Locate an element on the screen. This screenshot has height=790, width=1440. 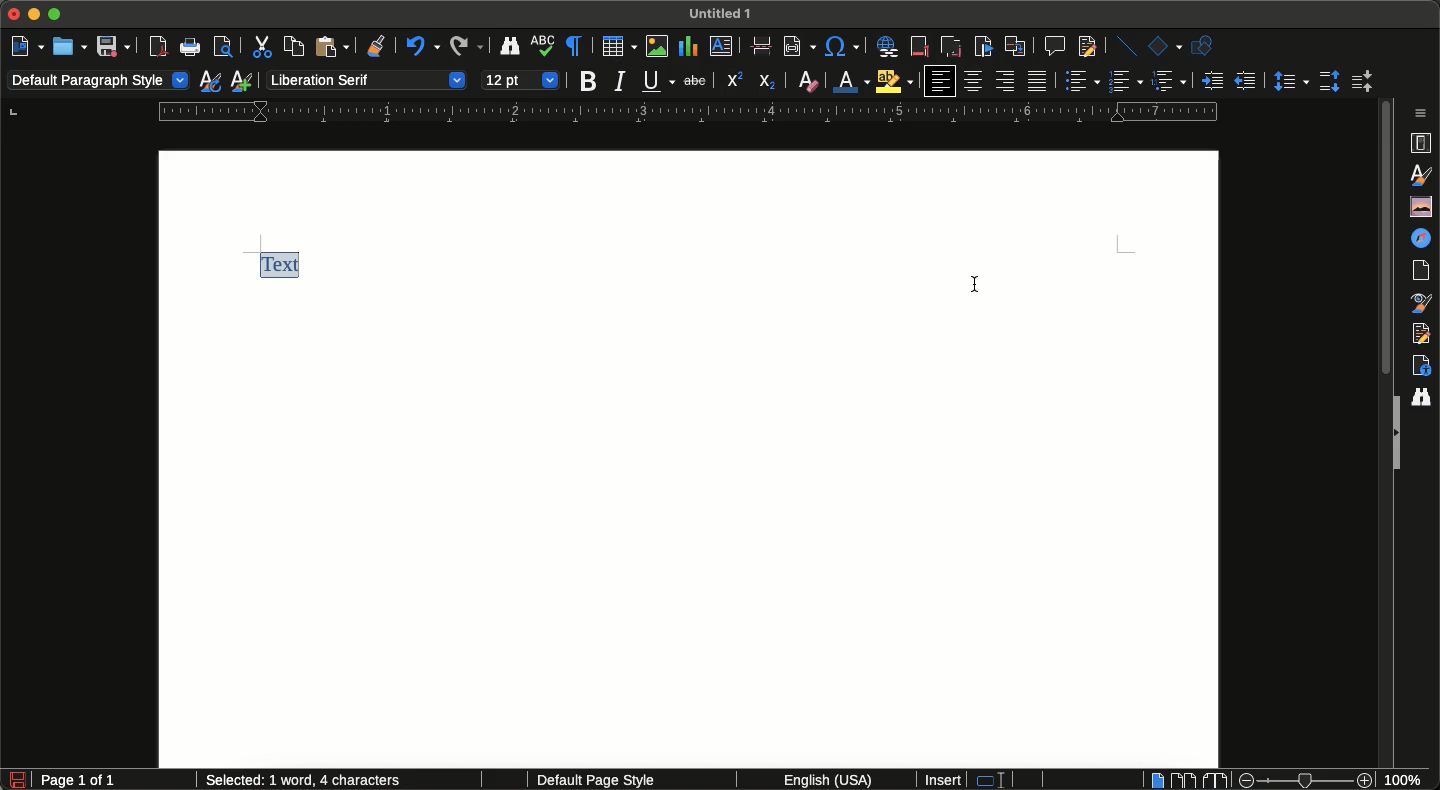
Insert bookmark is located at coordinates (983, 47).